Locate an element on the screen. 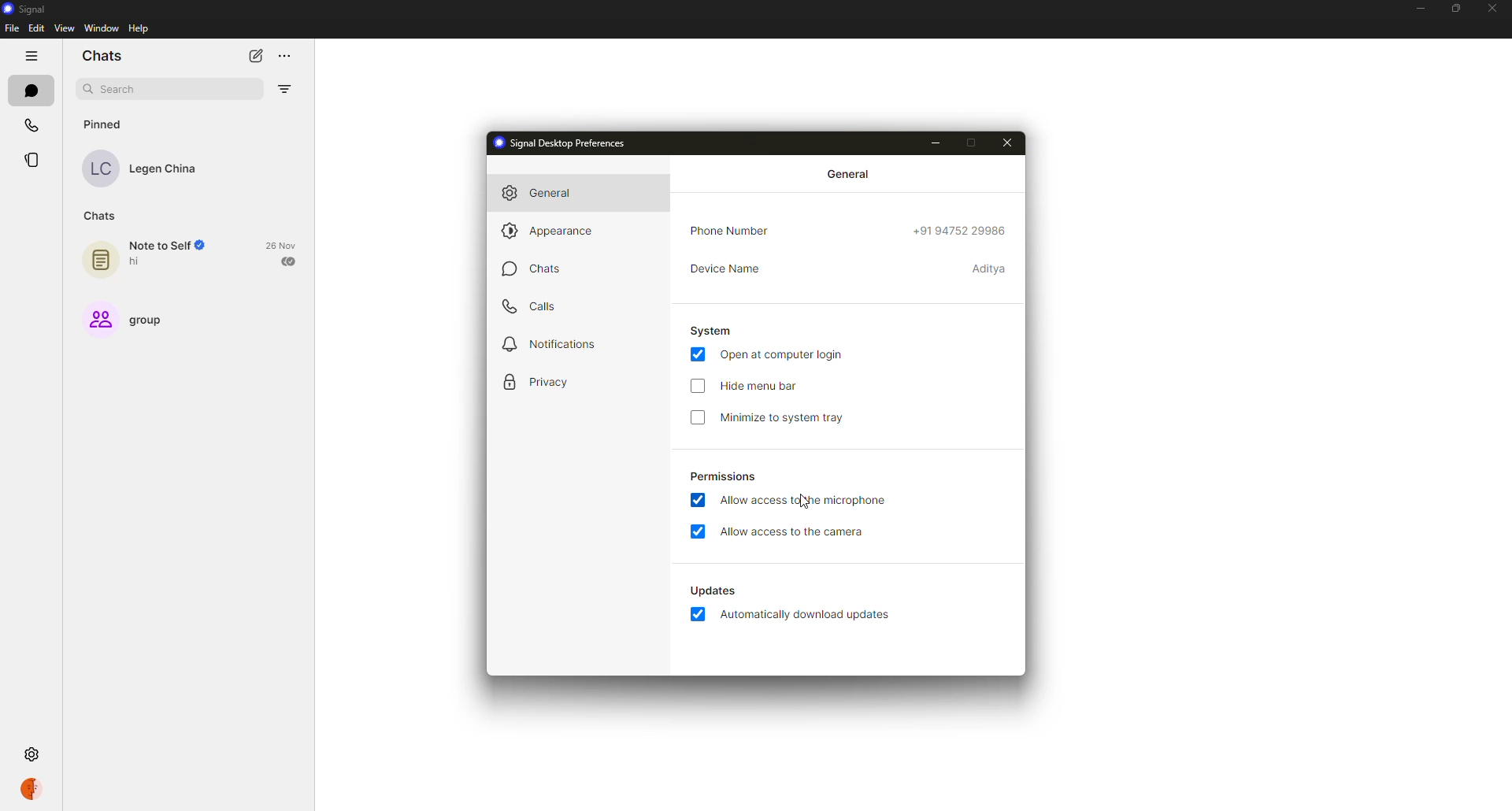  enabled is located at coordinates (701, 532).